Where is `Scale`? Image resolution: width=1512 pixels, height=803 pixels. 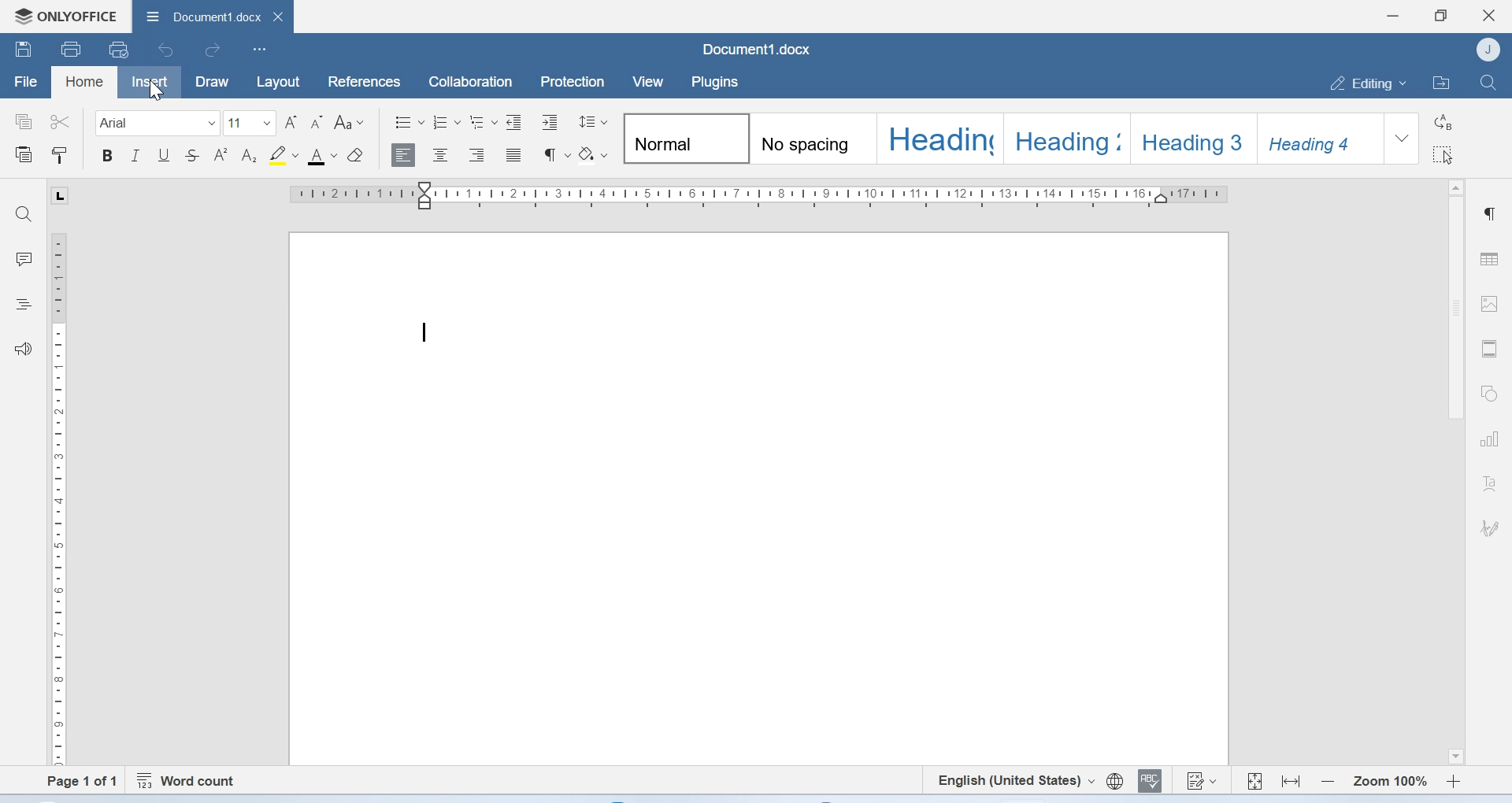
Scale is located at coordinates (762, 197).